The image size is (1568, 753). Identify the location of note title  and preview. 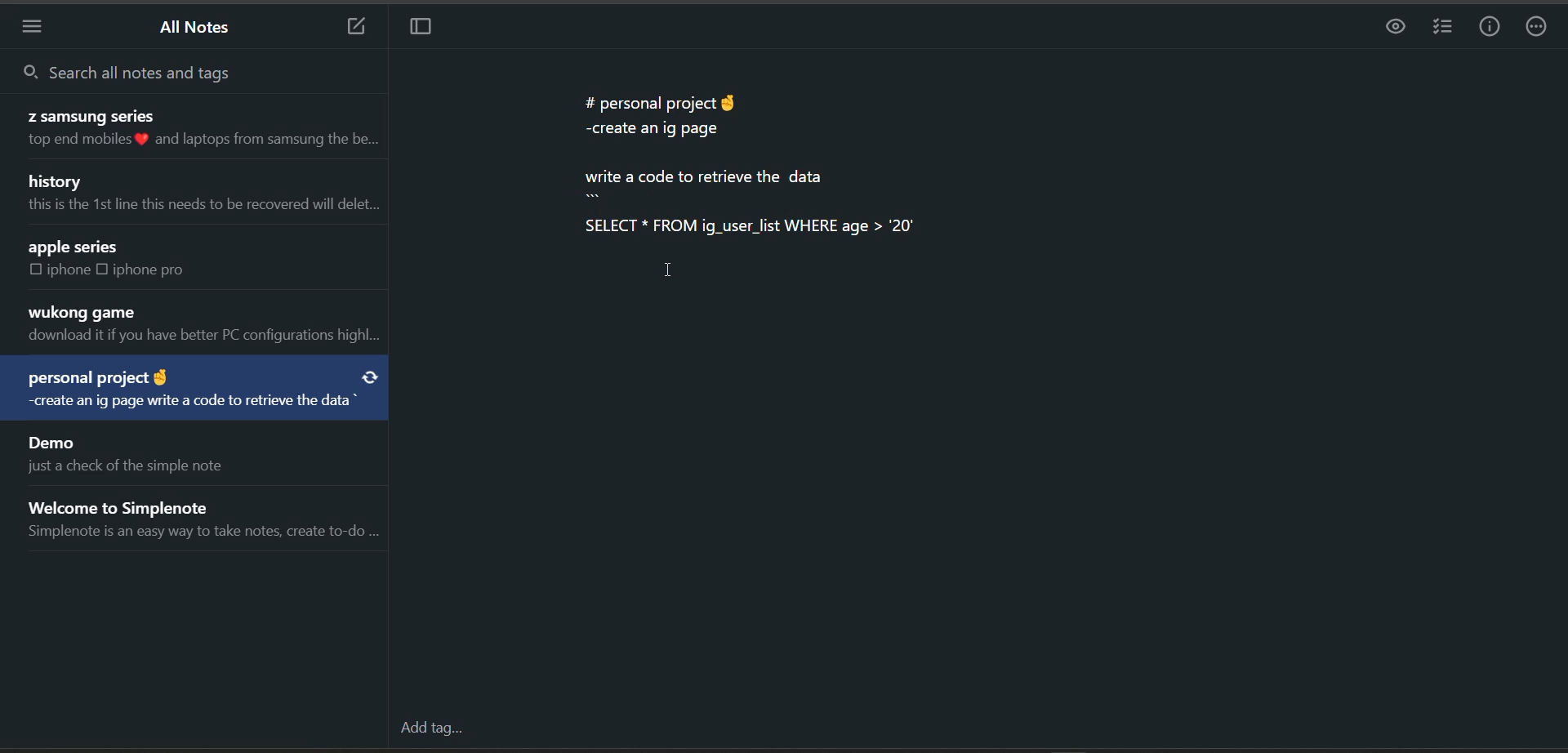
(122, 453).